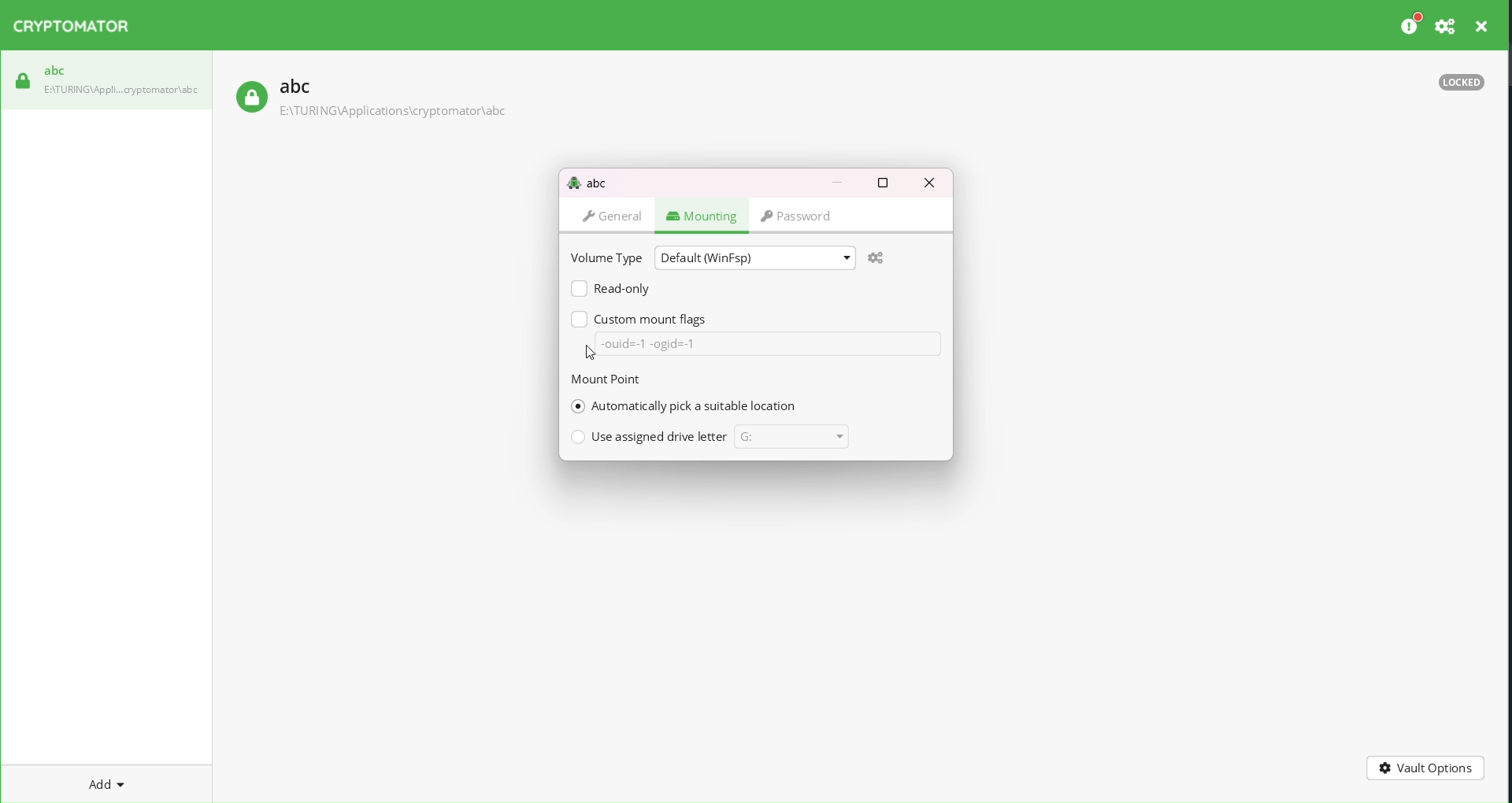 This screenshot has height=803, width=1512. I want to click on mount point, so click(612, 379).